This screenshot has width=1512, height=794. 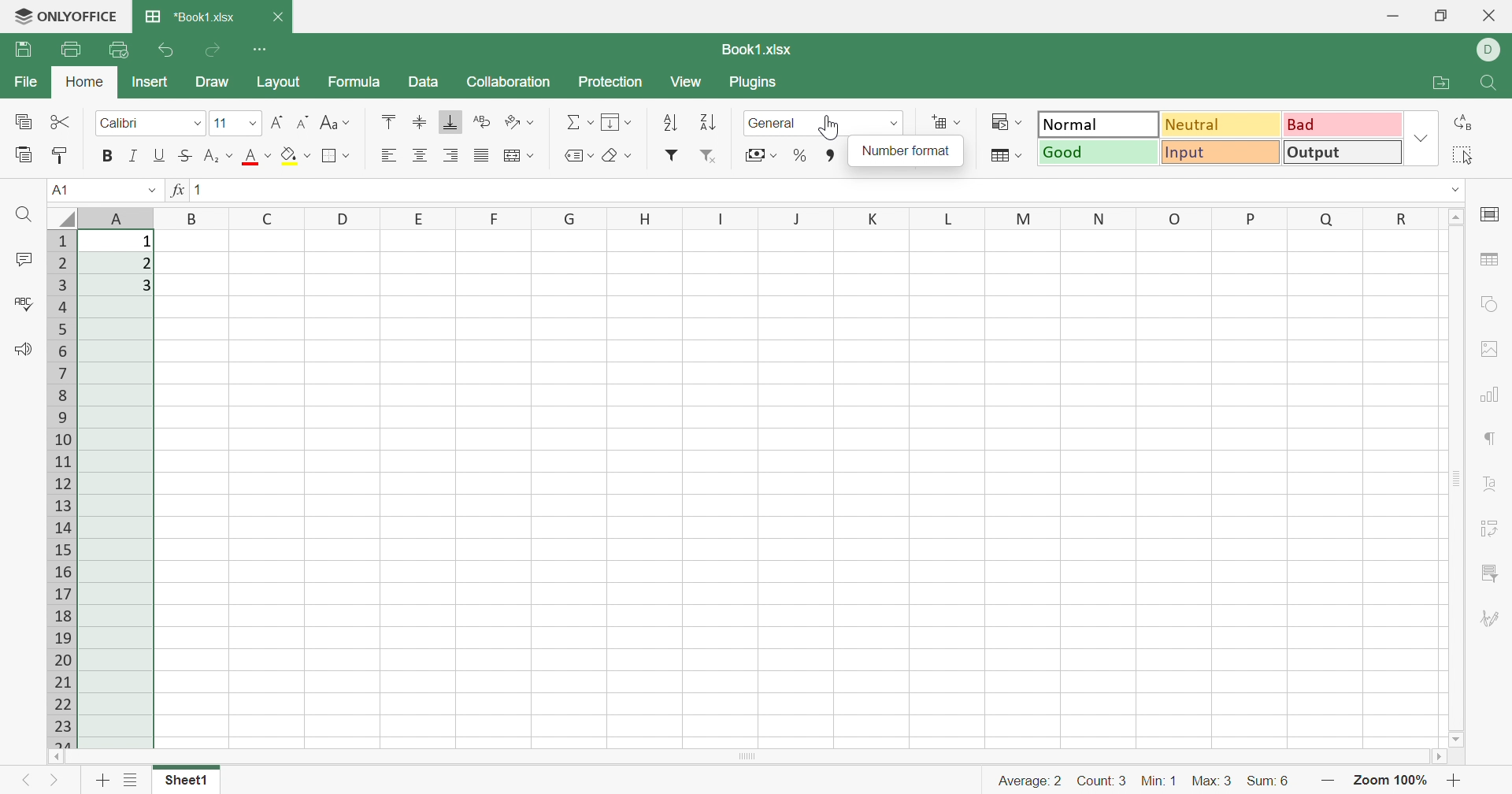 I want to click on 1, so click(x=146, y=242).